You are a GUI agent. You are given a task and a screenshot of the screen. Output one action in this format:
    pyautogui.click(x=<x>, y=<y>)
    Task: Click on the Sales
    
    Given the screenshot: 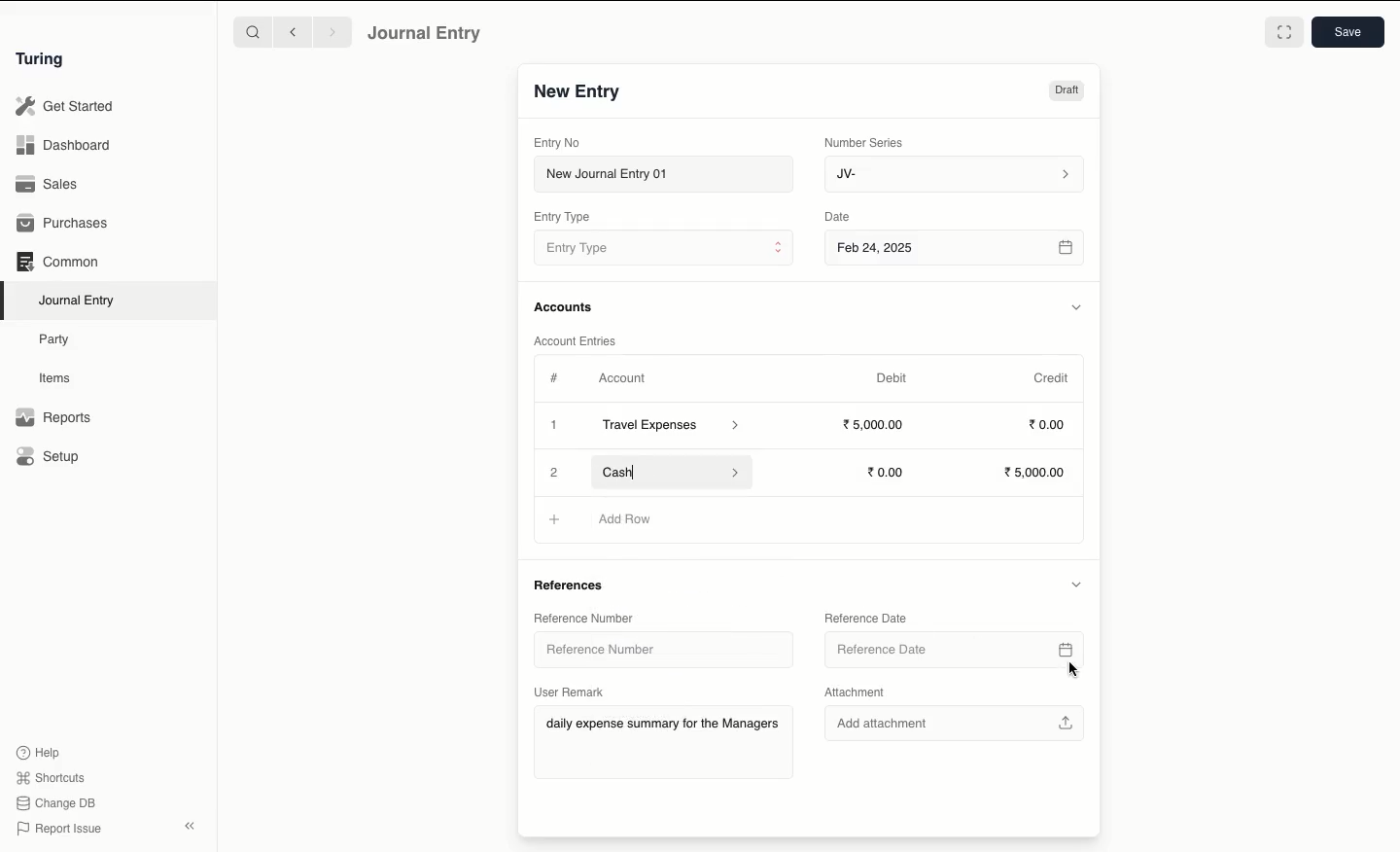 What is the action you would take?
    pyautogui.click(x=50, y=184)
    